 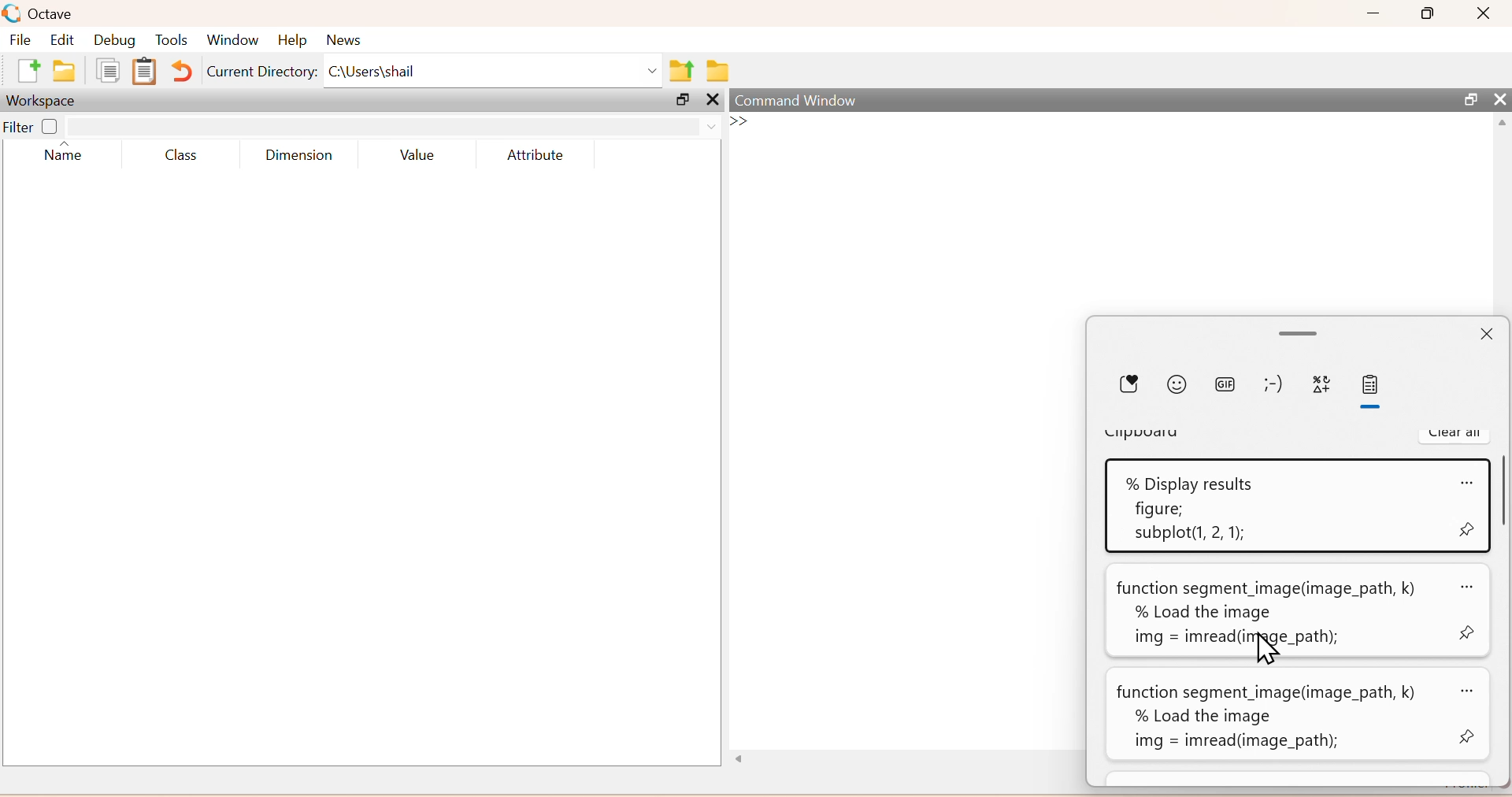 I want to click on Edit, so click(x=64, y=40).